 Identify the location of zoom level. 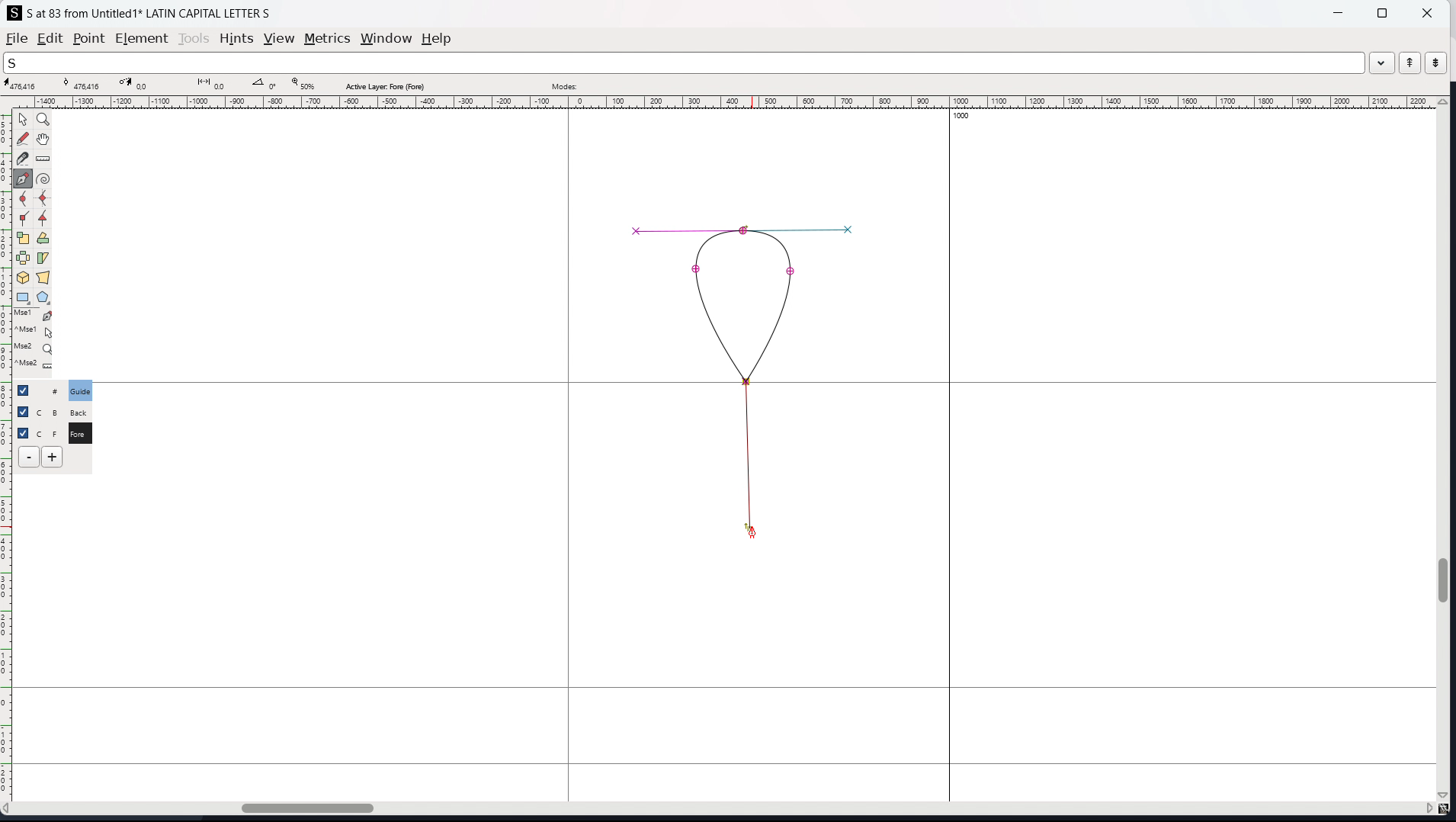
(303, 85).